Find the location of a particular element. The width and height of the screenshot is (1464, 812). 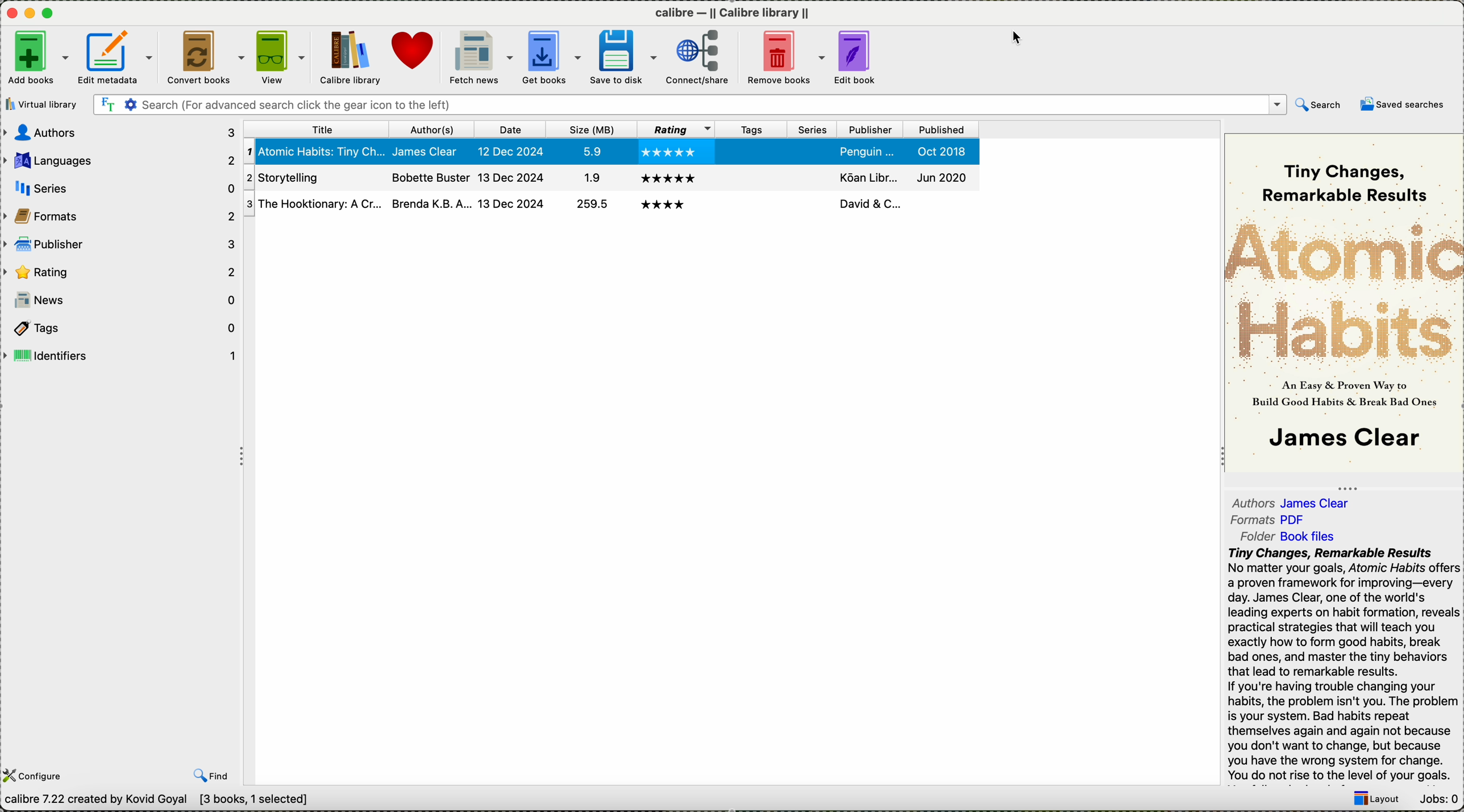

formats PDF is located at coordinates (1250, 520).